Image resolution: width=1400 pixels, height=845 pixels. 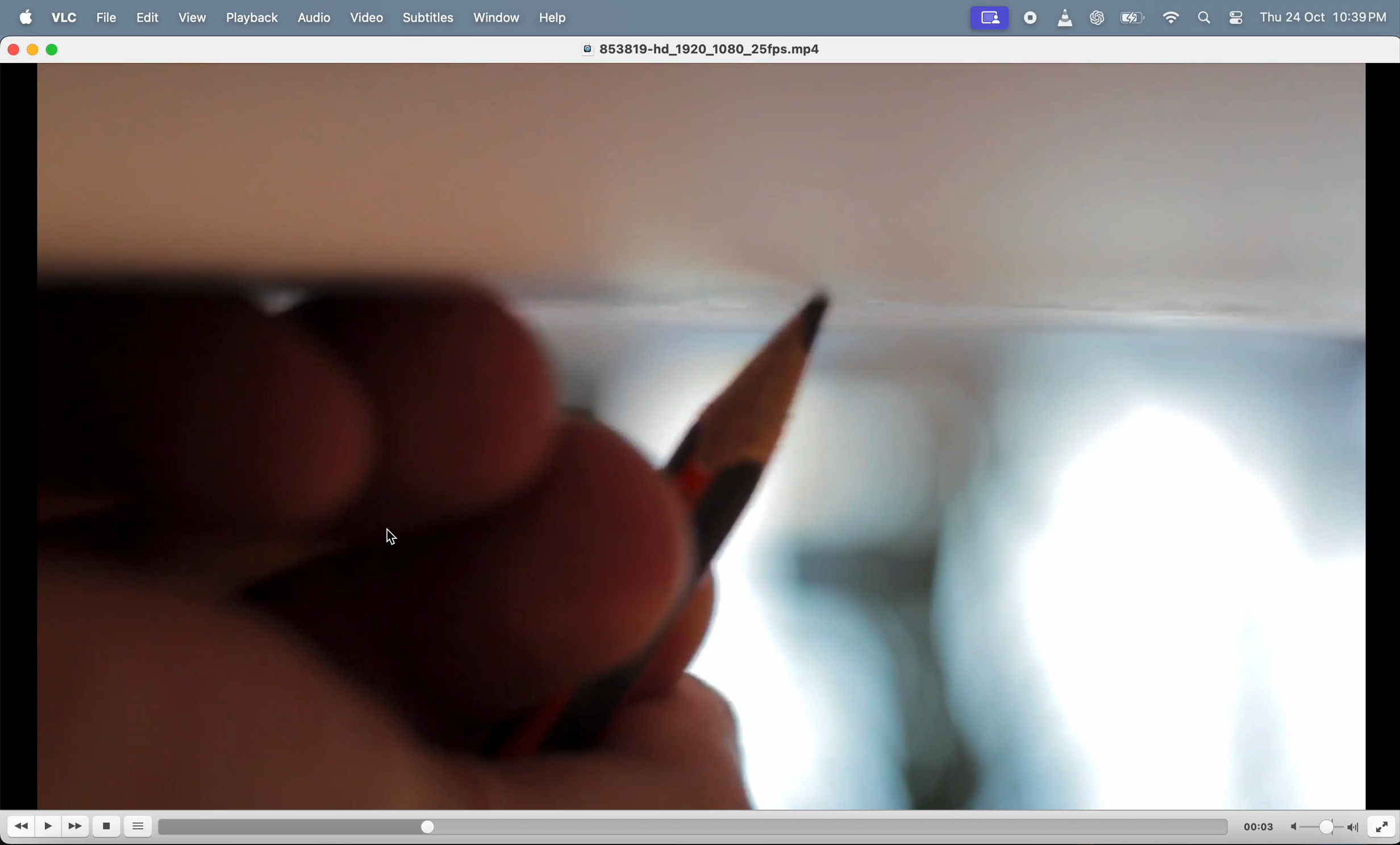 What do you see at coordinates (50, 826) in the screenshot?
I see `play` at bounding box center [50, 826].